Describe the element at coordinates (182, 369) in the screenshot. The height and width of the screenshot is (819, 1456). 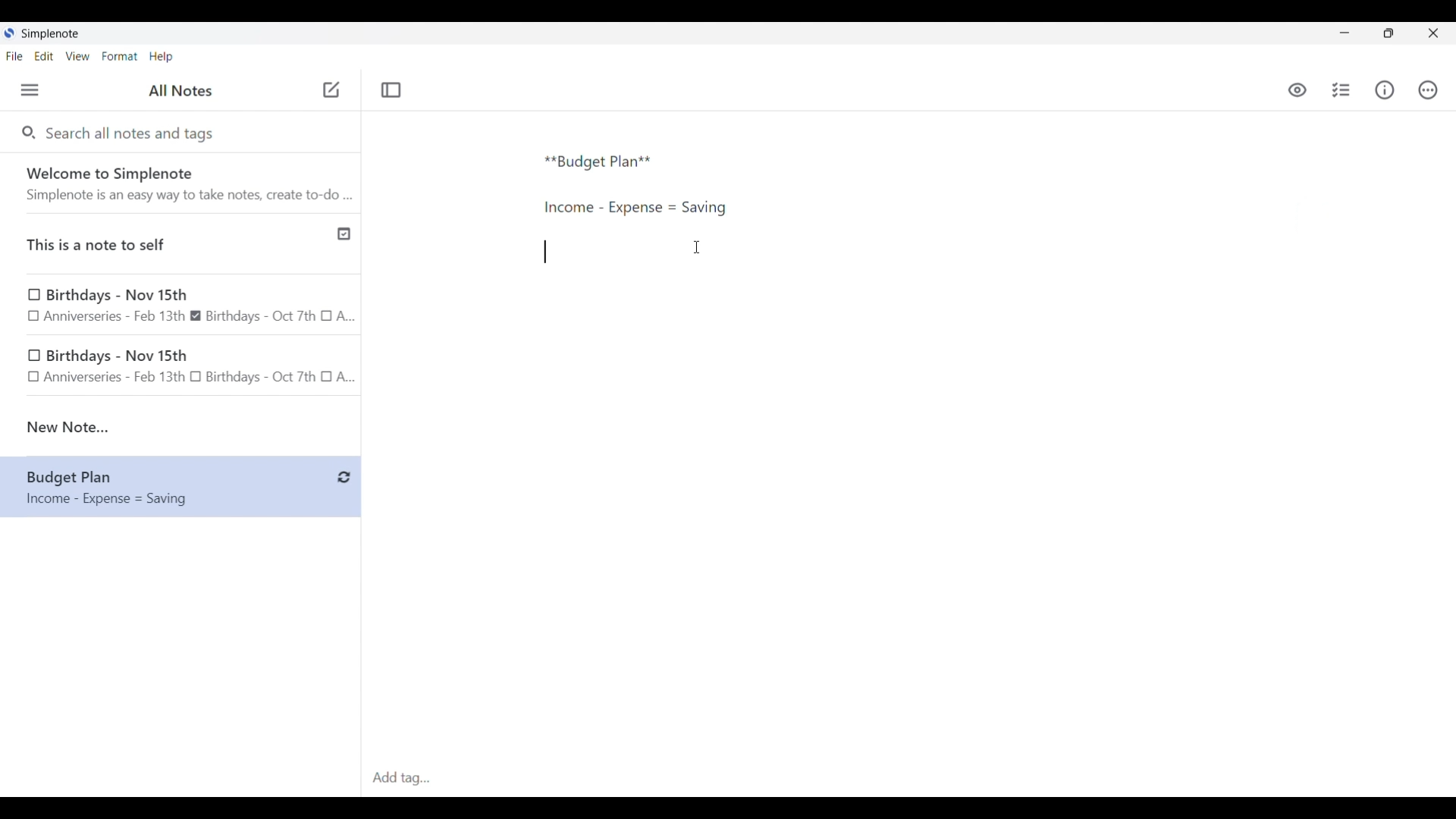
I see `birthday note` at that location.